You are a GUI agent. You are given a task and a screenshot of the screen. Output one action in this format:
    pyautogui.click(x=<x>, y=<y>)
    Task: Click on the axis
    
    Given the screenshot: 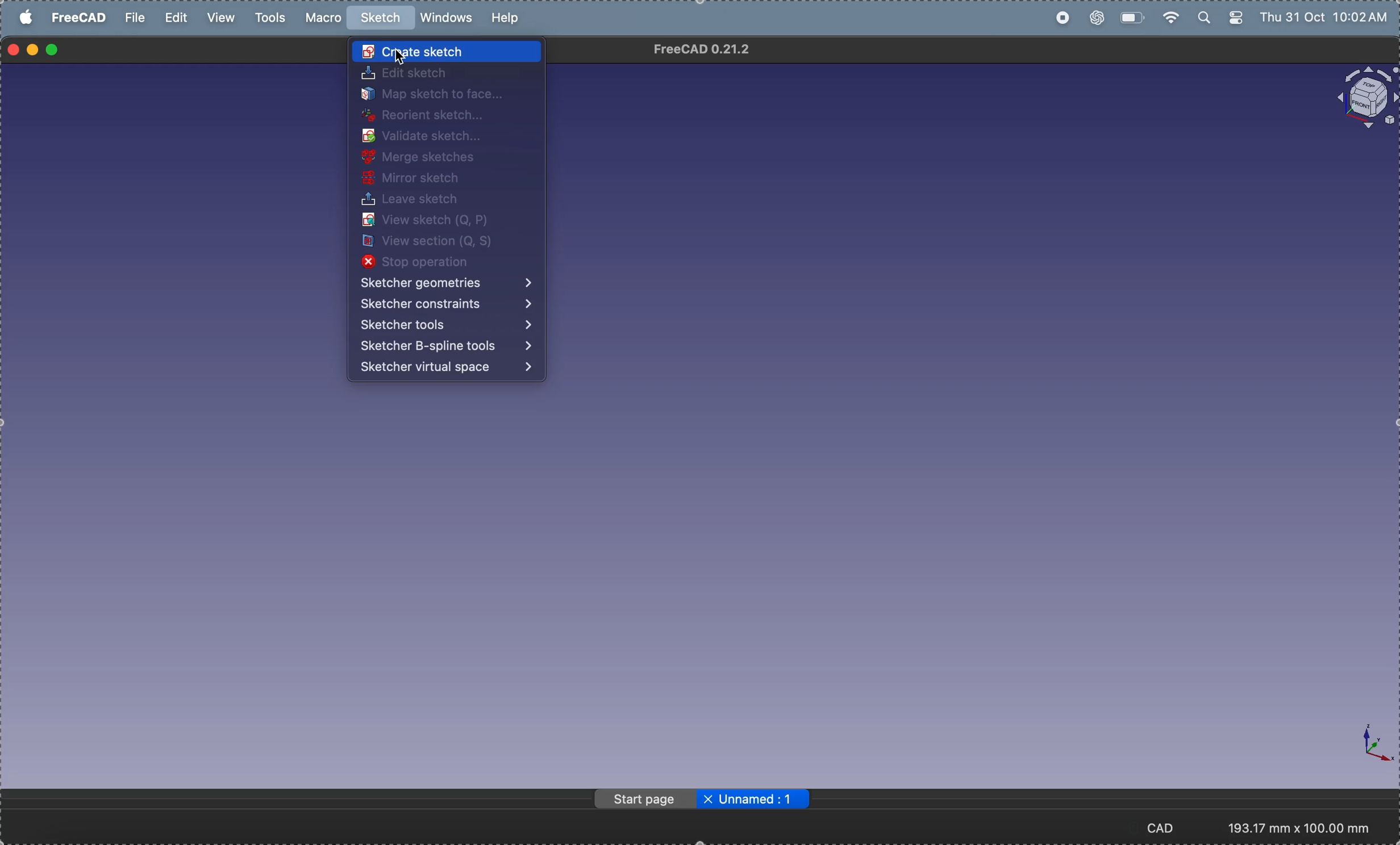 What is the action you would take?
    pyautogui.click(x=1366, y=742)
    